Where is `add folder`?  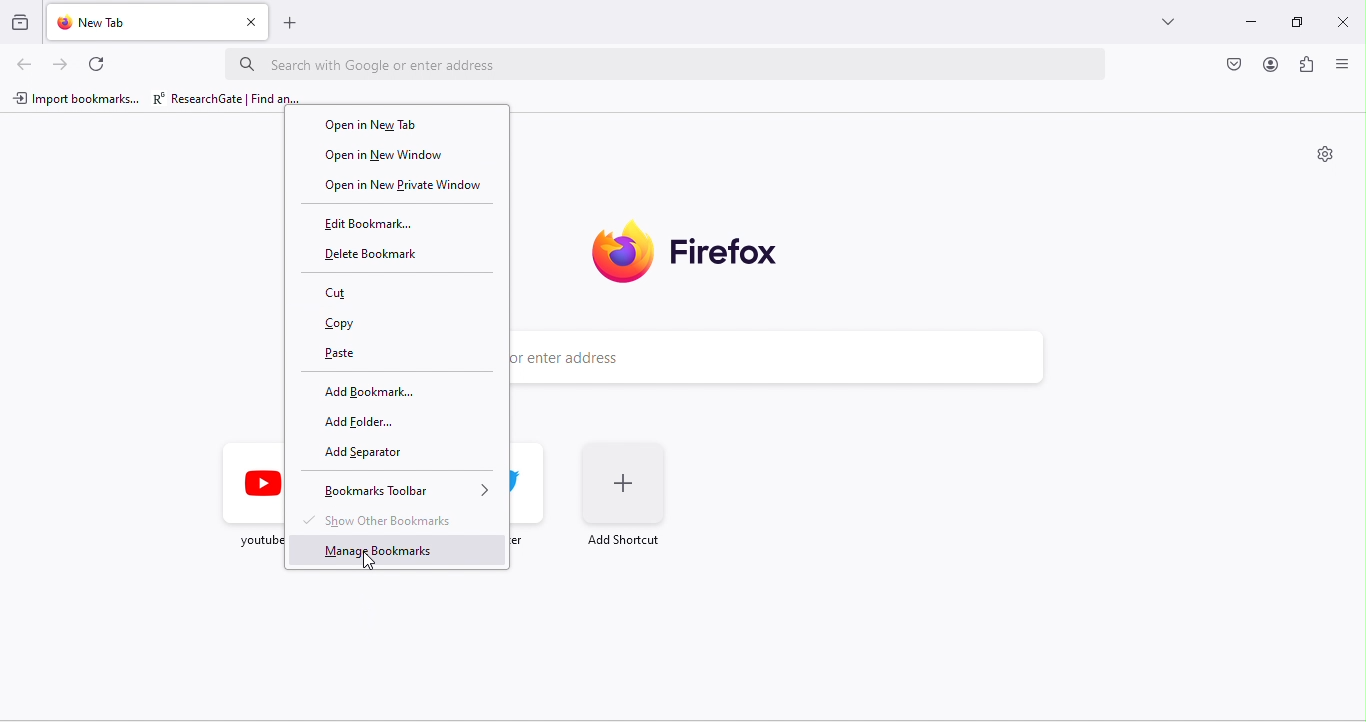 add folder is located at coordinates (364, 424).